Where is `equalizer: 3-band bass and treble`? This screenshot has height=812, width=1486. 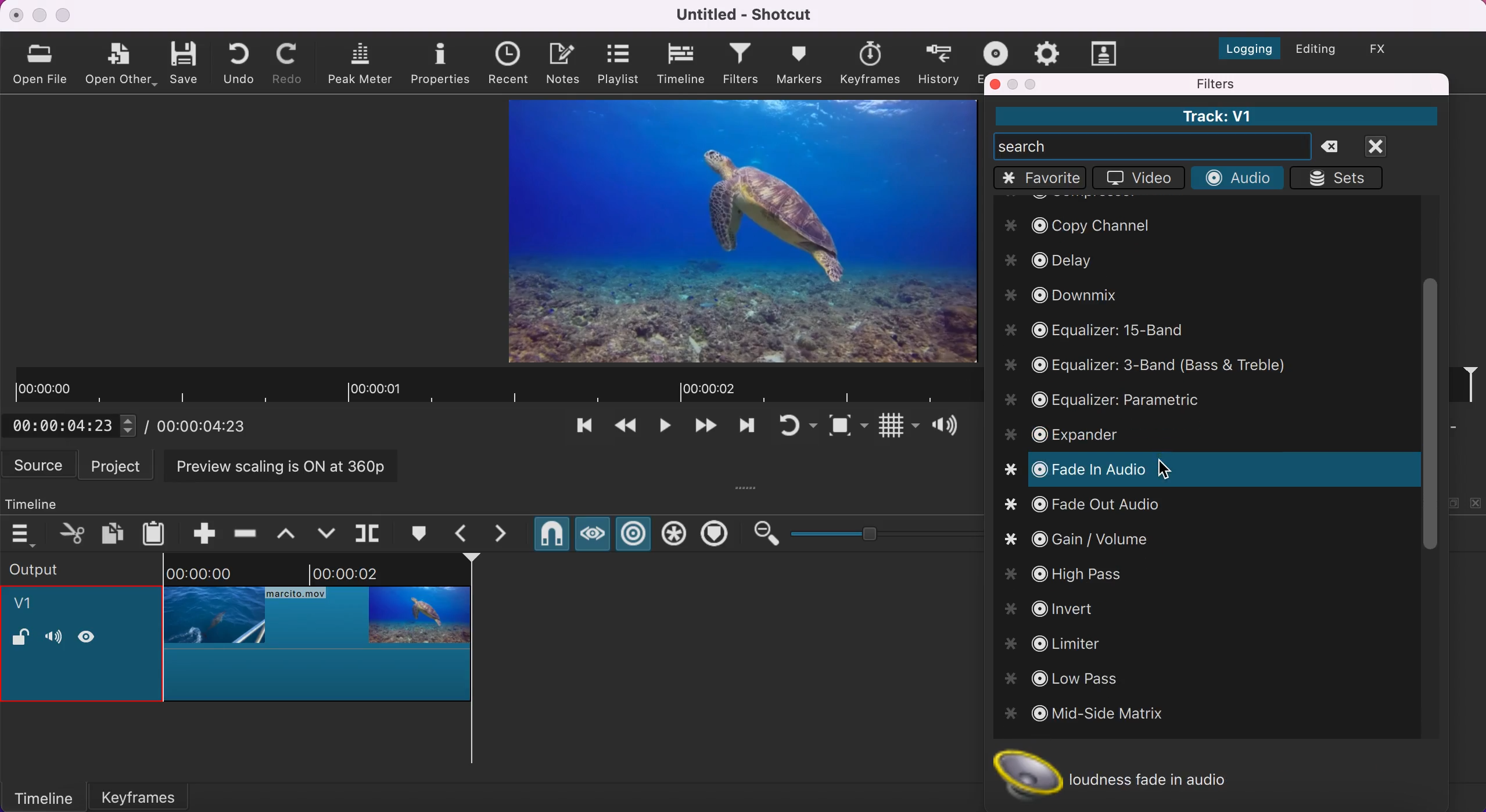
equalizer: 3-band bass and treble is located at coordinates (1154, 368).